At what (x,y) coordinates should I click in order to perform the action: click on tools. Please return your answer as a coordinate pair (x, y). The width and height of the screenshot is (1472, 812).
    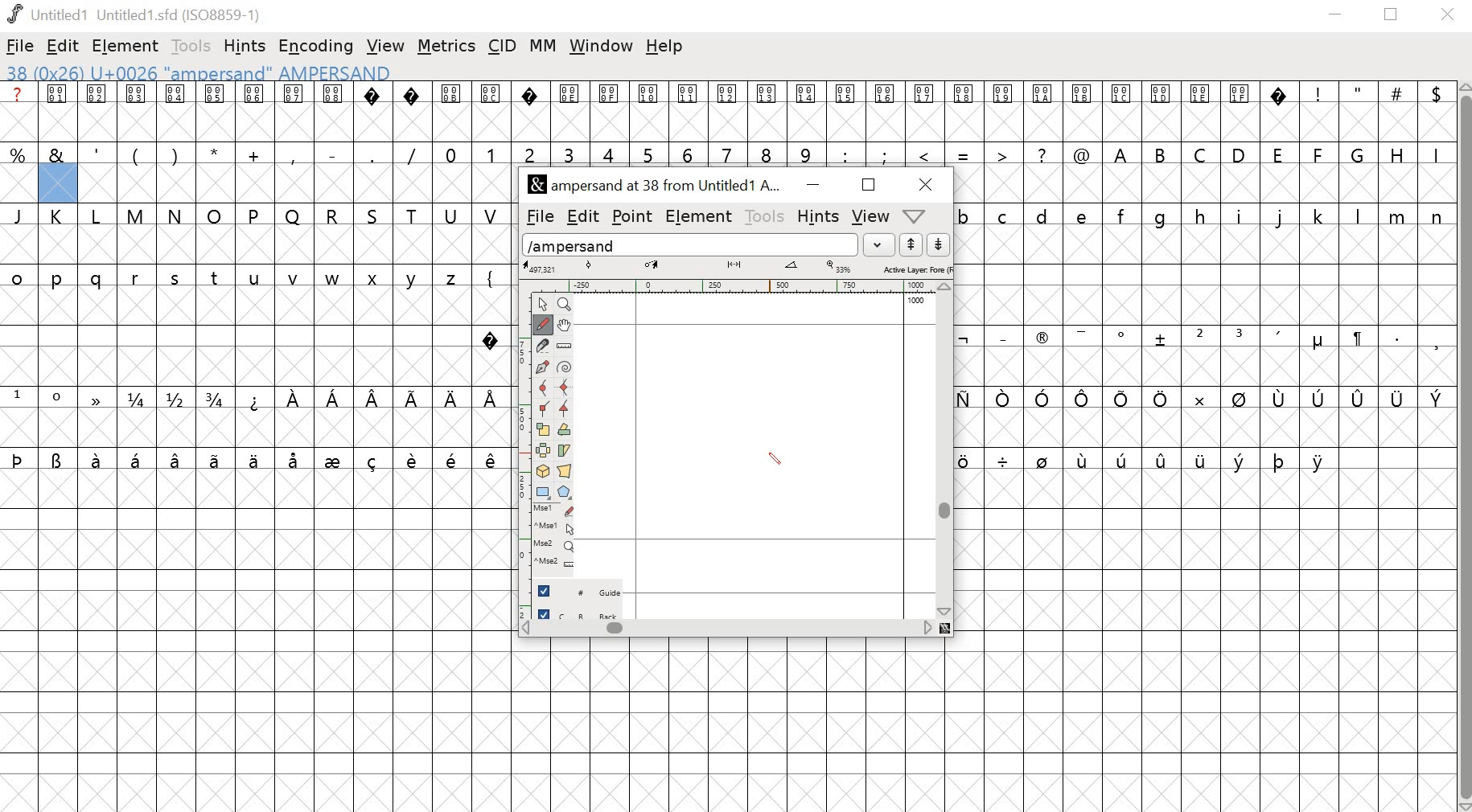
    Looking at the image, I should click on (766, 216).